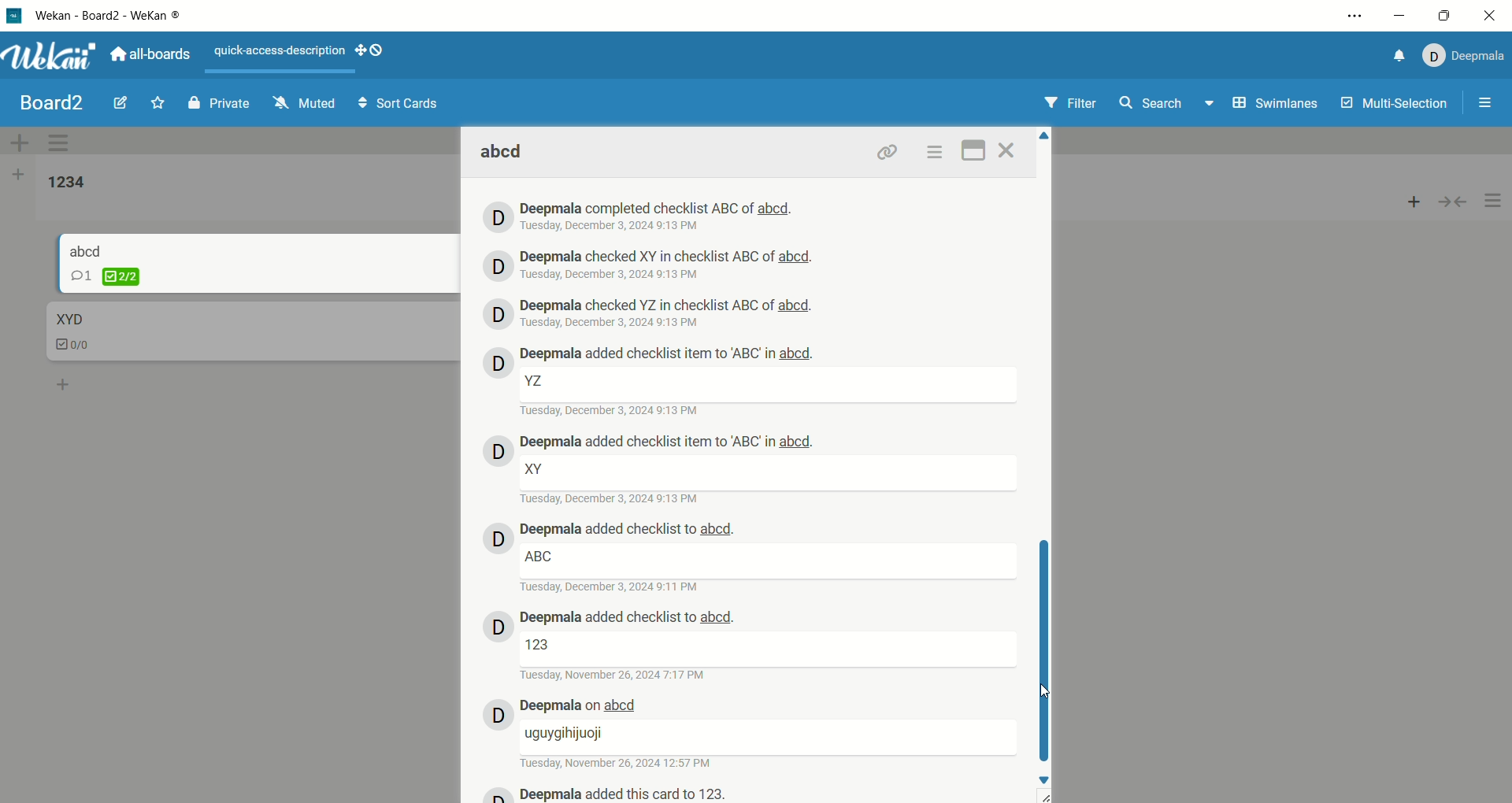 This screenshot has width=1512, height=803. Describe the element at coordinates (15, 18) in the screenshot. I see `logo` at that location.